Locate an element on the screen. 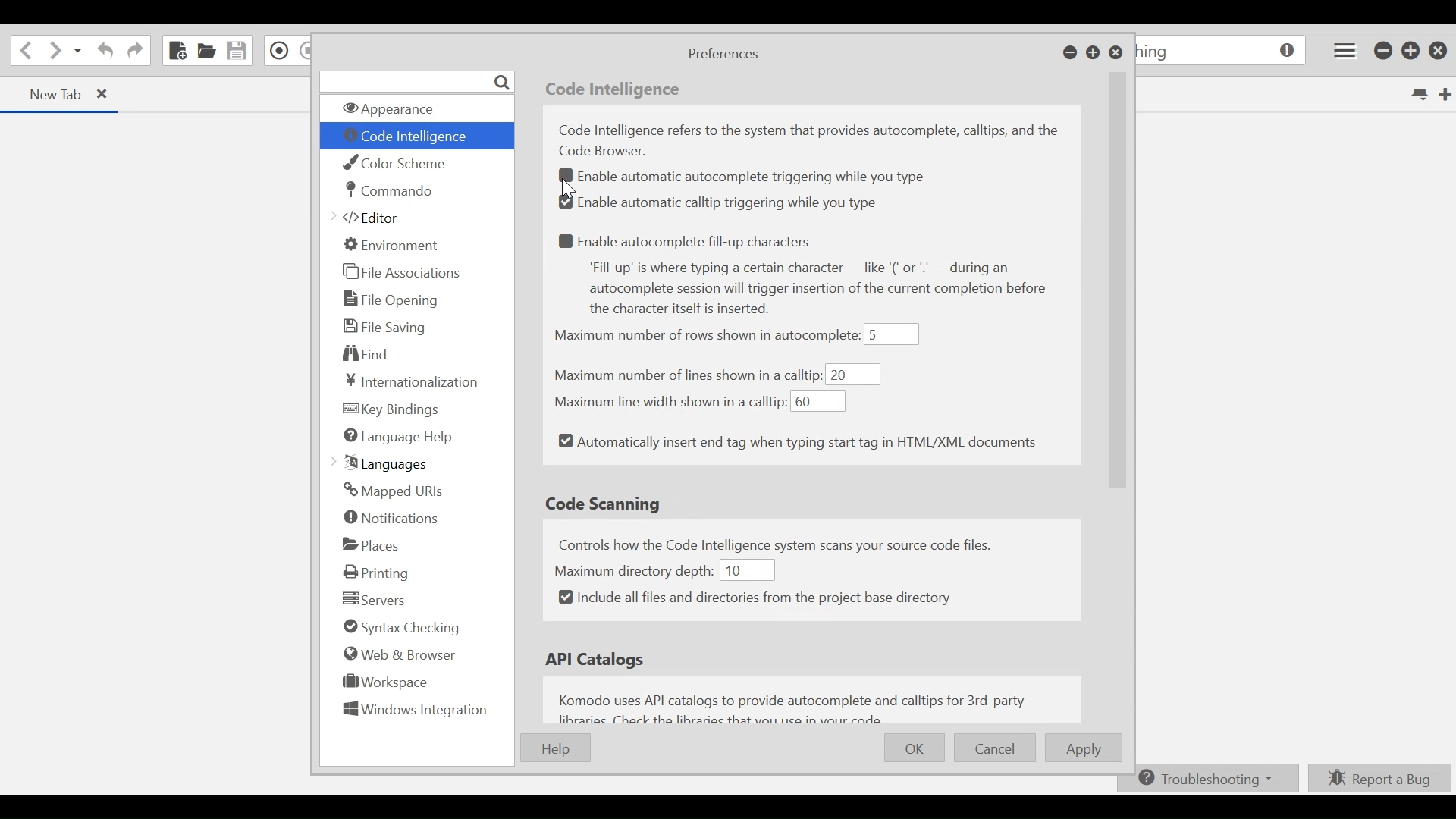  Include all files and directories from the project base directory is located at coordinates (755, 598).